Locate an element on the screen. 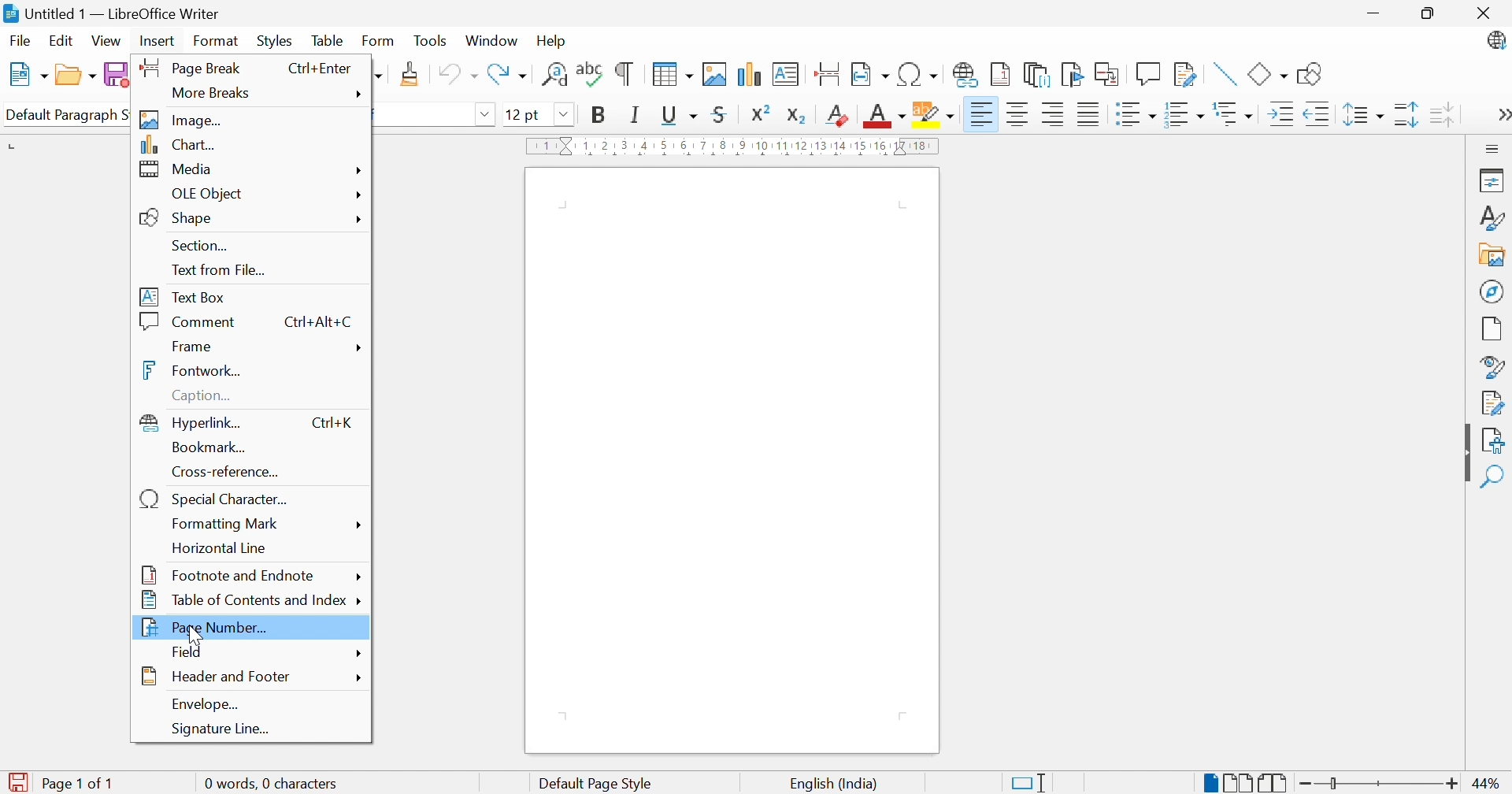  Find and replace is located at coordinates (552, 76).